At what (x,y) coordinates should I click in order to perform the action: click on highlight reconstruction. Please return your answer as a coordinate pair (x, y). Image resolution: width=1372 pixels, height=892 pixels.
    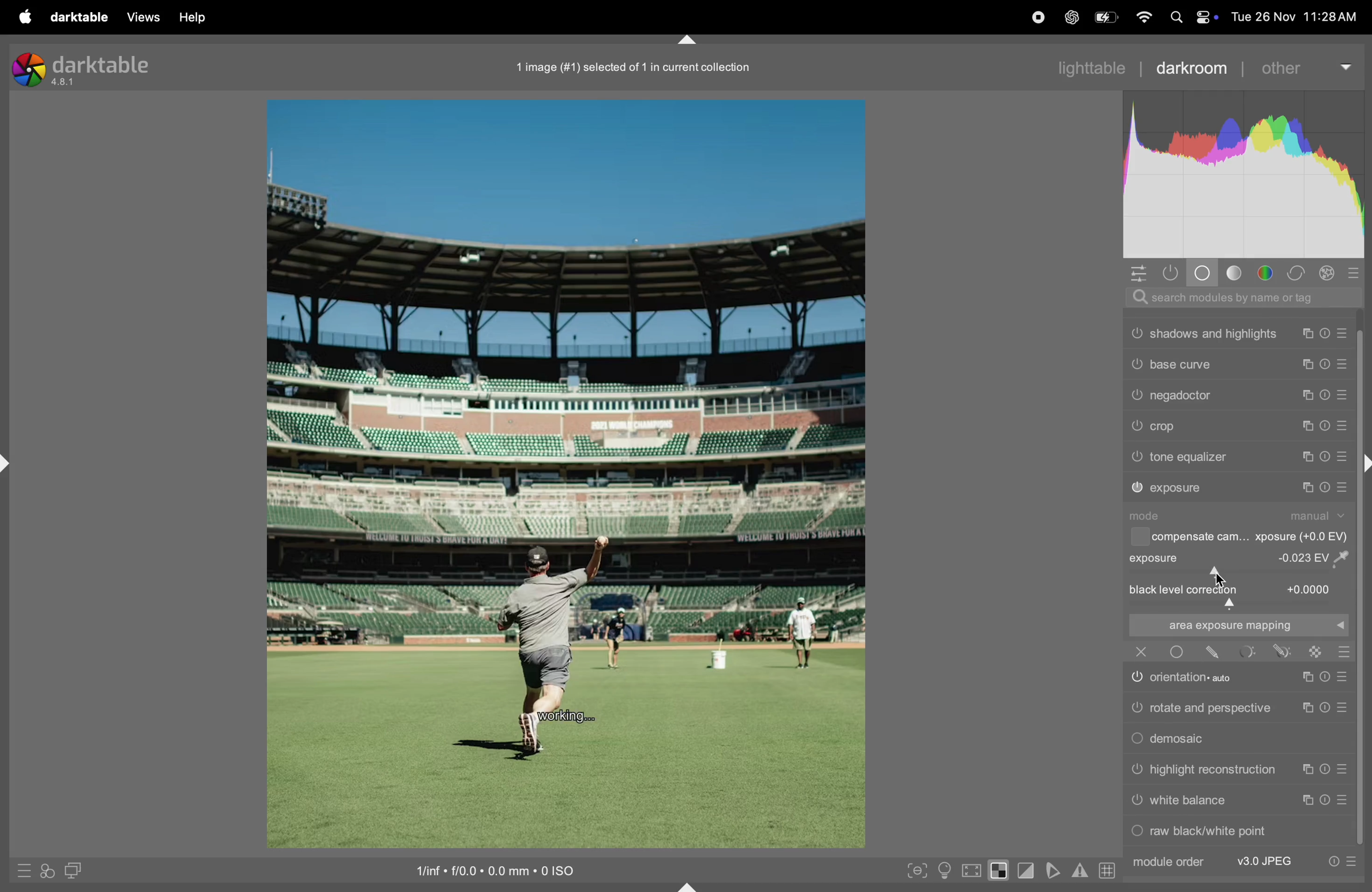
    Looking at the image, I should click on (1215, 770).